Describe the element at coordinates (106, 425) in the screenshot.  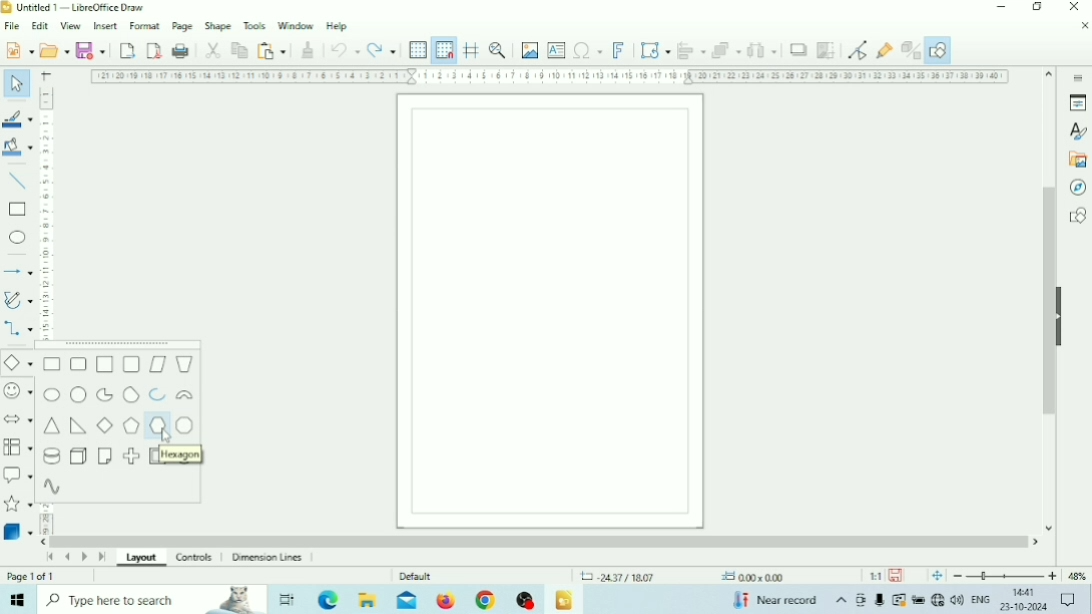
I see `Diamond` at that location.